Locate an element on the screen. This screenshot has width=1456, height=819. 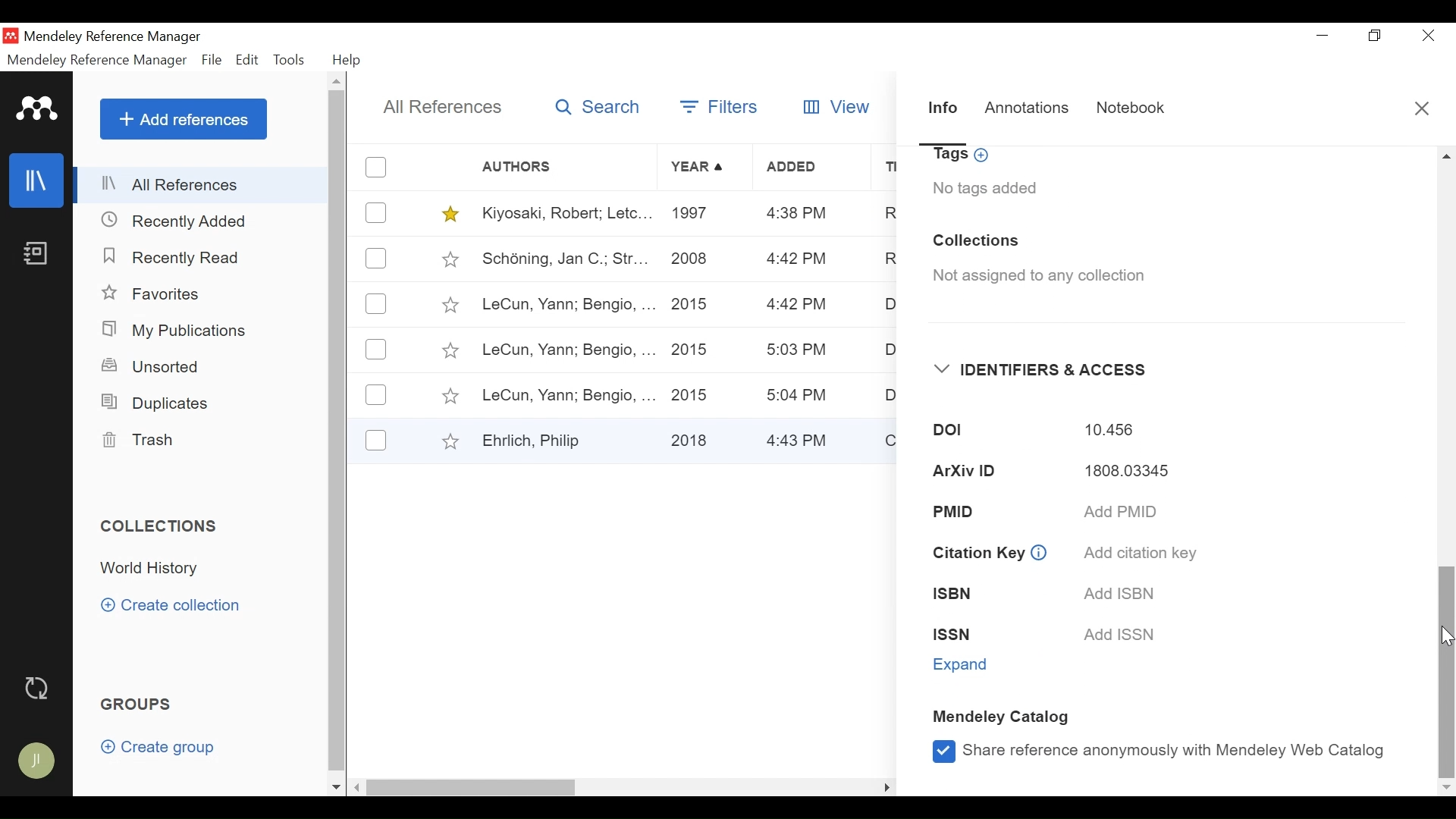
Add ISBN is located at coordinates (1116, 593).